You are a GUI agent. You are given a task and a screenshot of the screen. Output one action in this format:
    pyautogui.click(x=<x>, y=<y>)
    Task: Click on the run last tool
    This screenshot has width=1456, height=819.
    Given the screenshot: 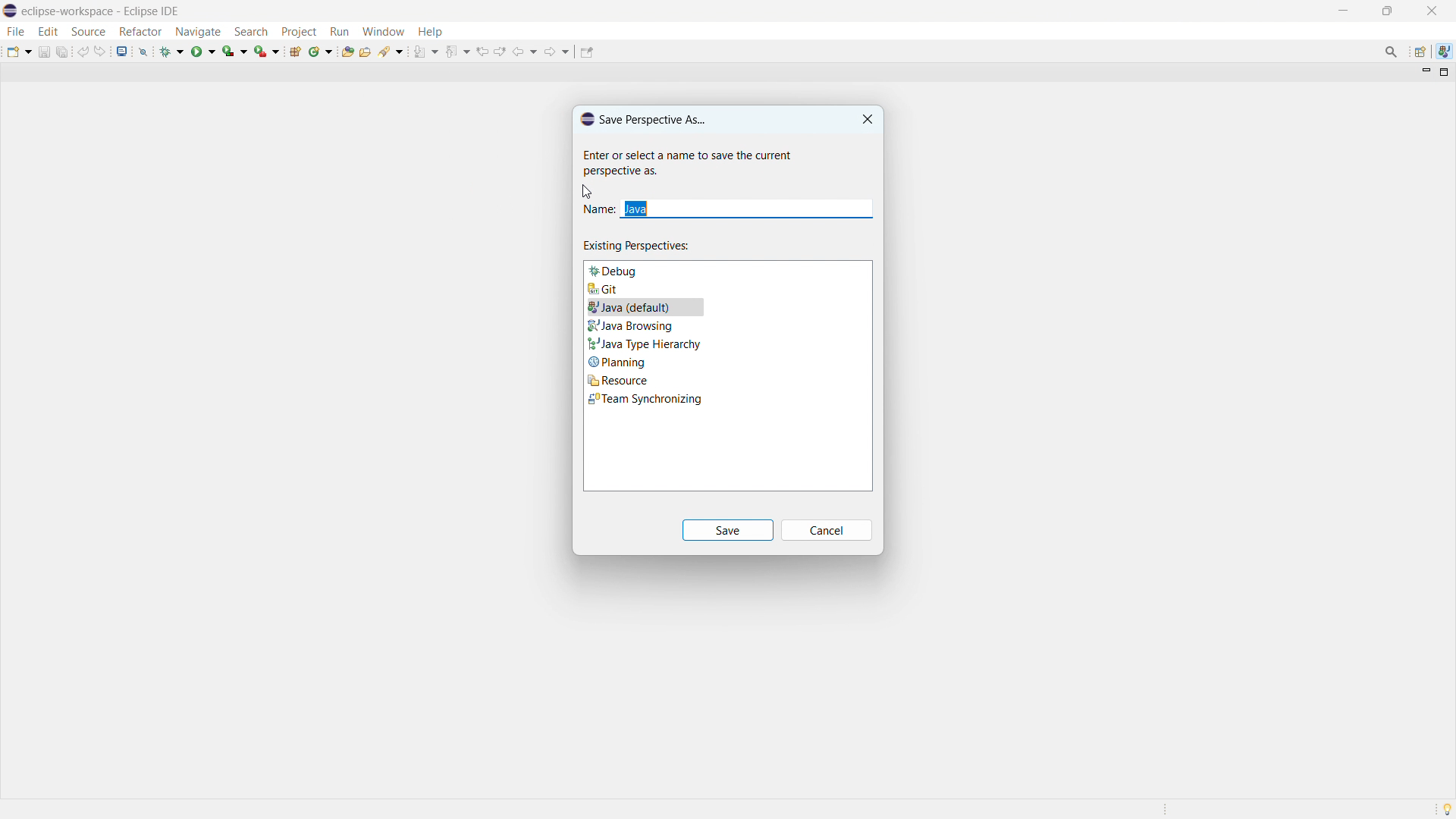 What is the action you would take?
    pyautogui.click(x=268, y=51)
    